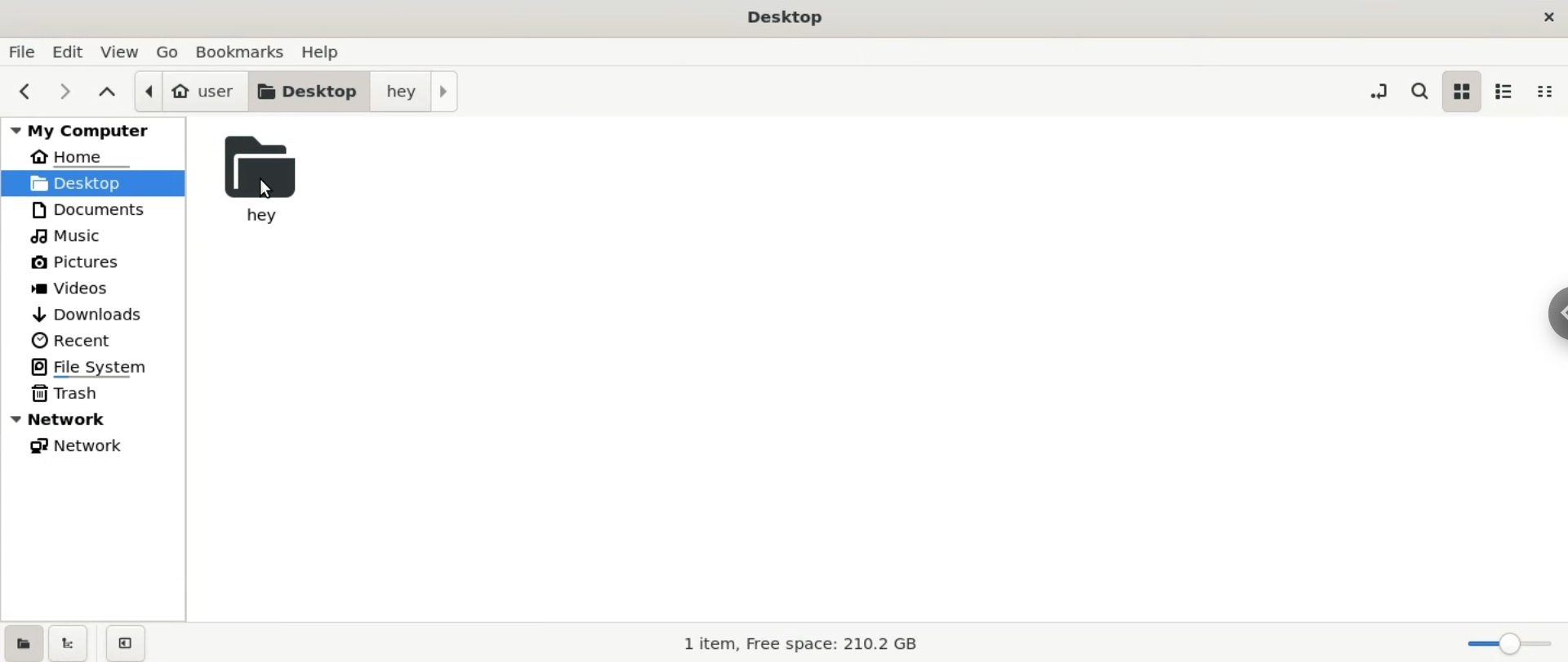  What do you see at coordinates (1461, 91) in the screenshot?
I see `icon view` at bounding box center [1461, 91].